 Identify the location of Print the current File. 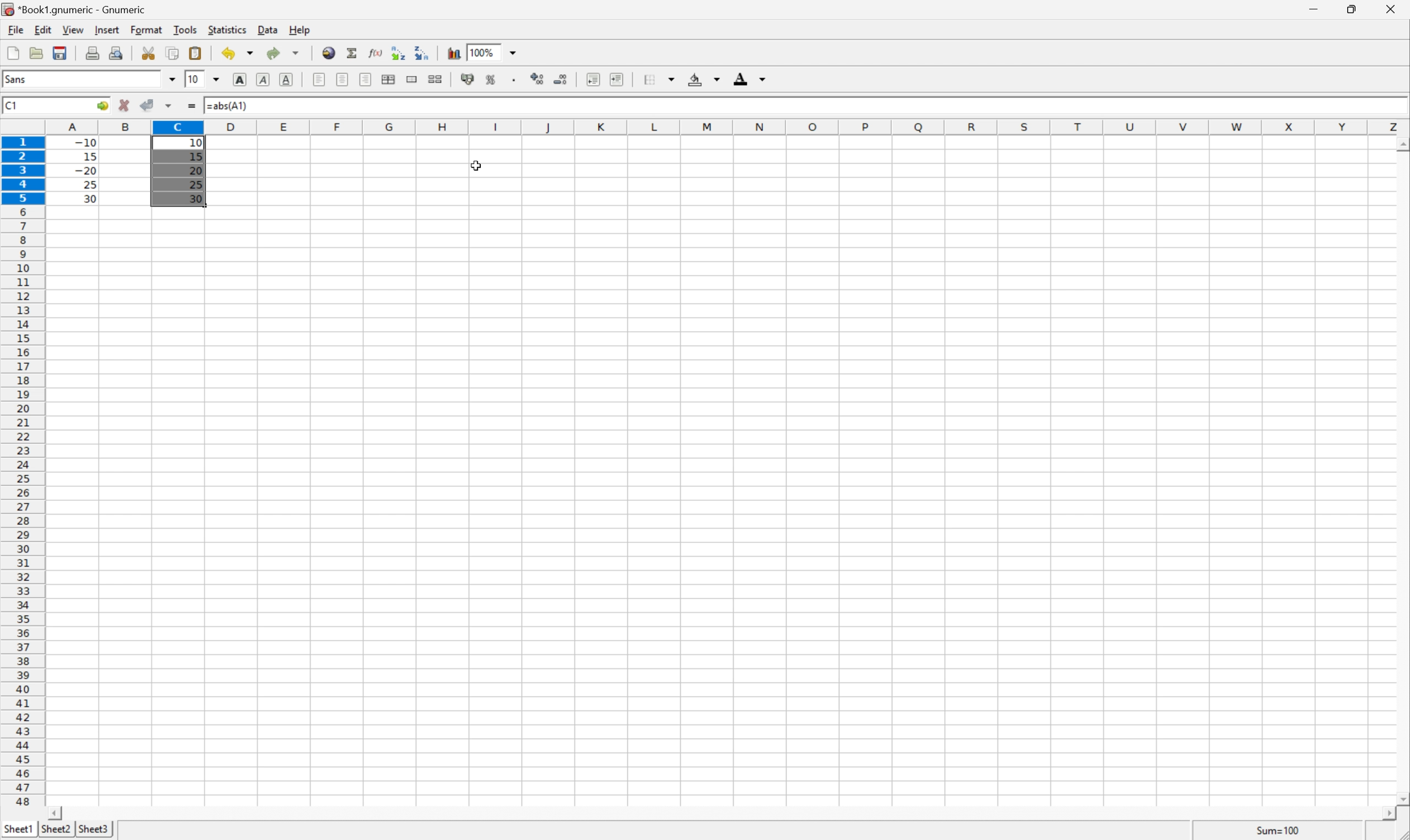
(95, 52).